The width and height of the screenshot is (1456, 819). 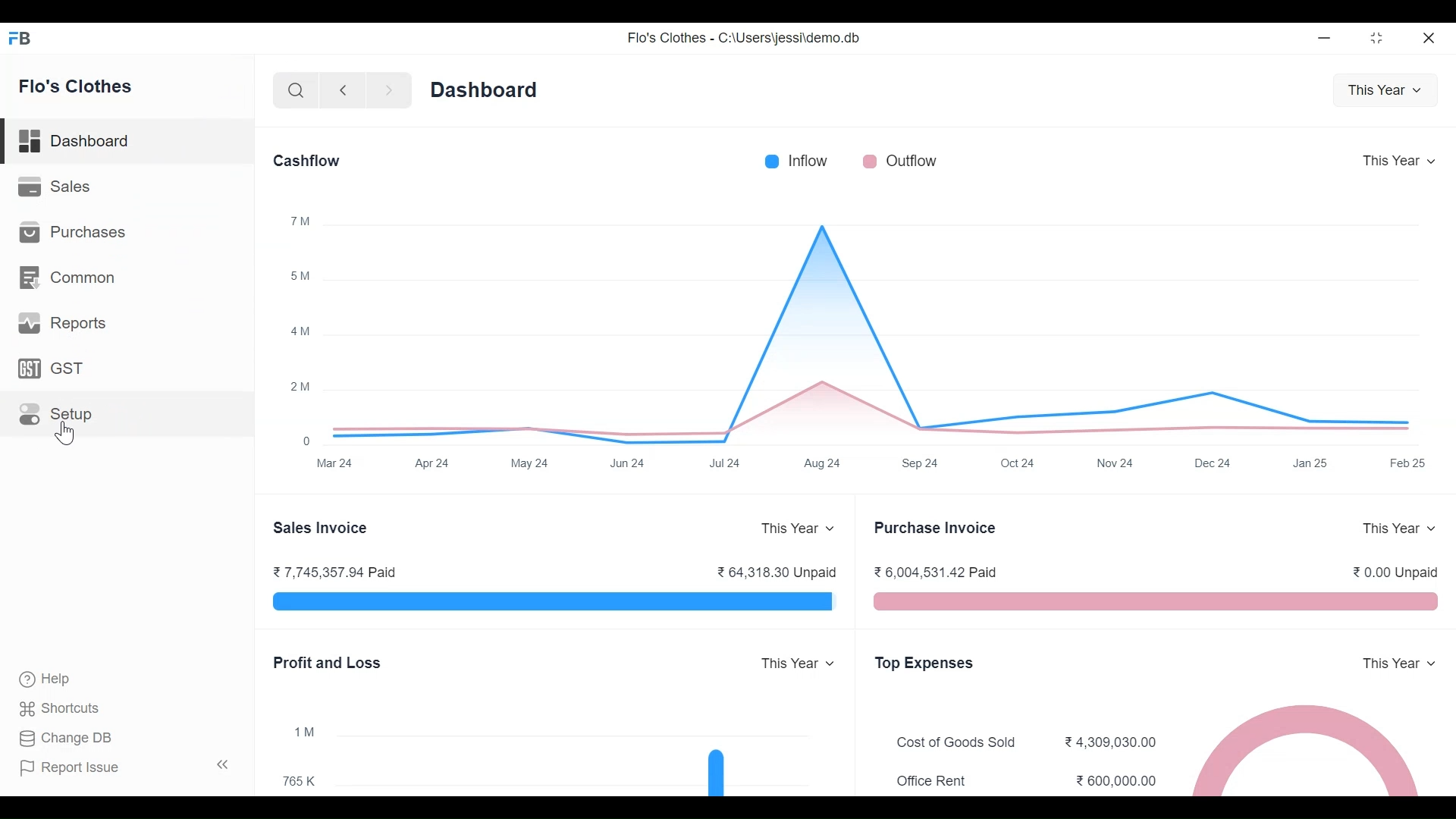 What do you see at coordinates (24, 37) in the screenshot?
I see `Frappe Books Desktop icon` at bounding box center [24, 37].